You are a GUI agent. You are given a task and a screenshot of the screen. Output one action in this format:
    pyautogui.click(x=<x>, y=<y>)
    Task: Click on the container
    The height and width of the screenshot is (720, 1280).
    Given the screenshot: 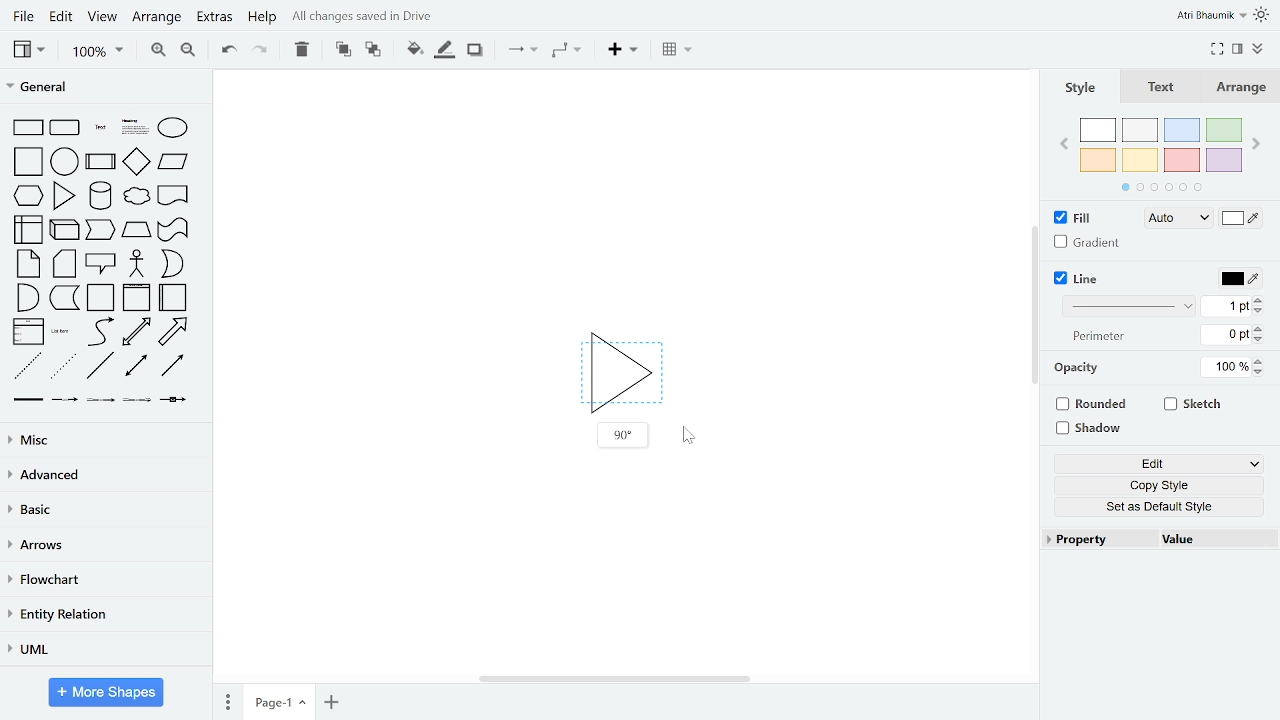 What is the action you would take?
    pyautogui.click(x=100, y=298)
    